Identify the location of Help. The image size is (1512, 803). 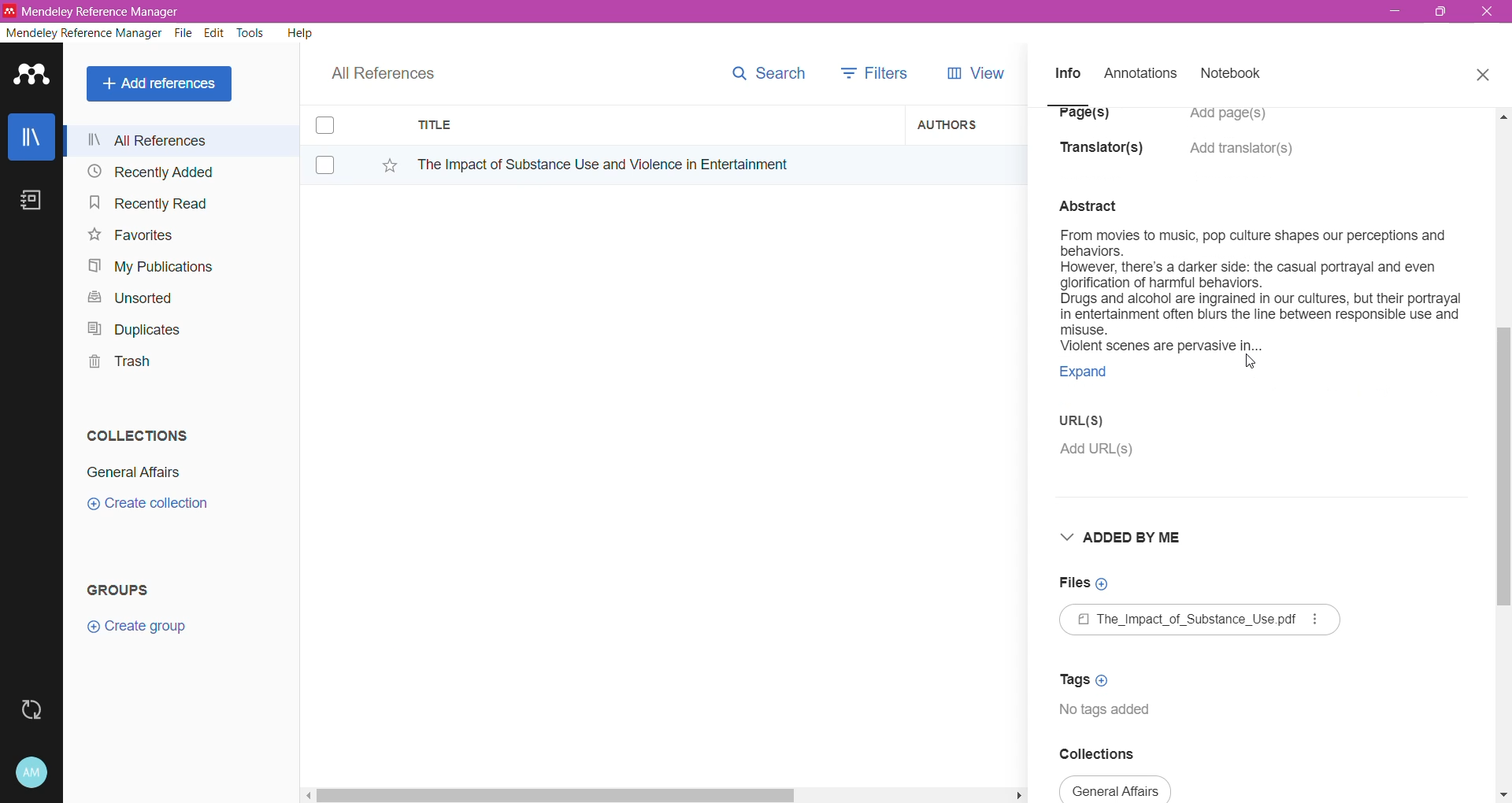
(298, 32).